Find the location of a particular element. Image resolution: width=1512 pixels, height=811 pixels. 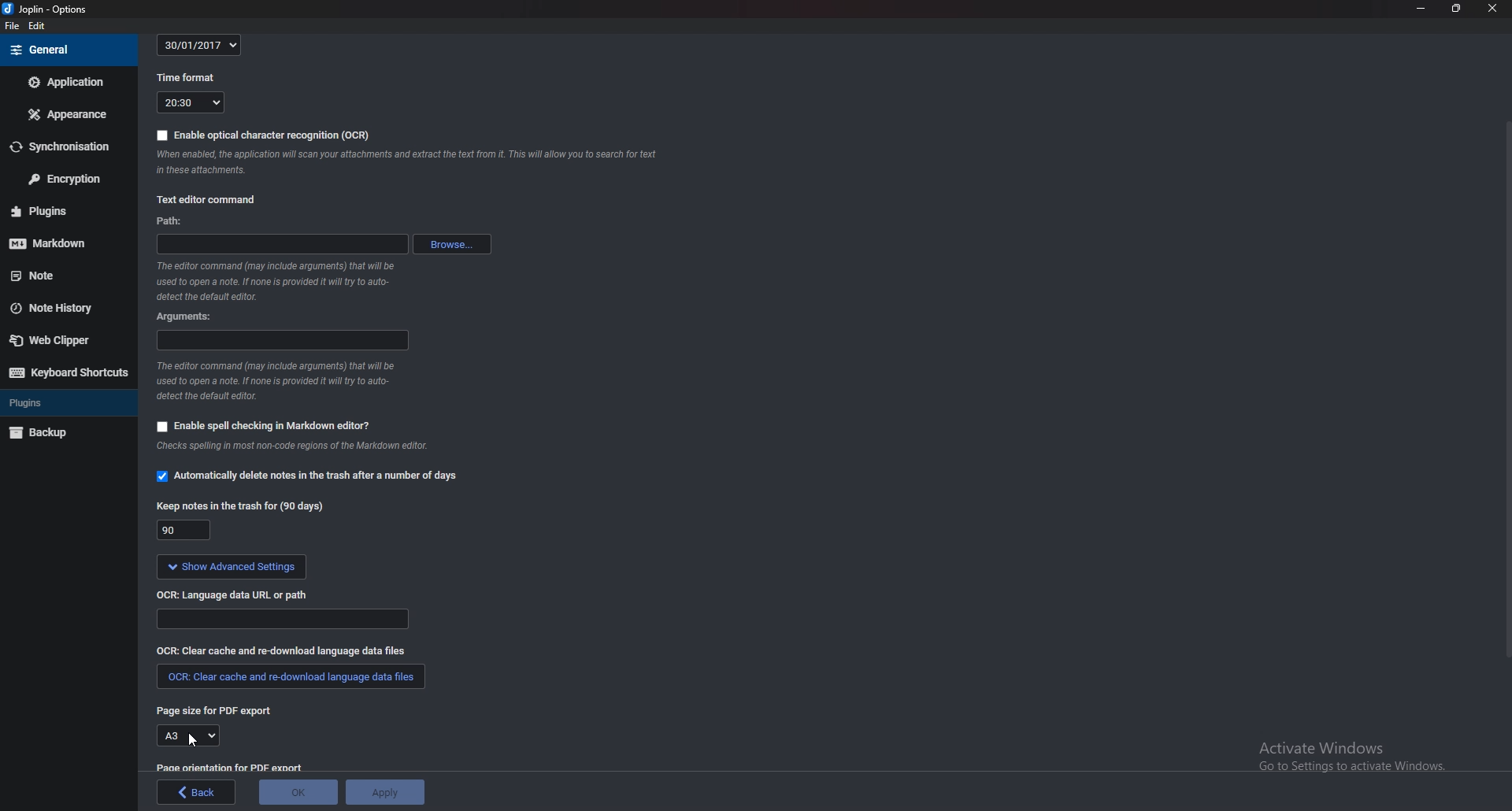

Apply is located at coordinates (385, 793).